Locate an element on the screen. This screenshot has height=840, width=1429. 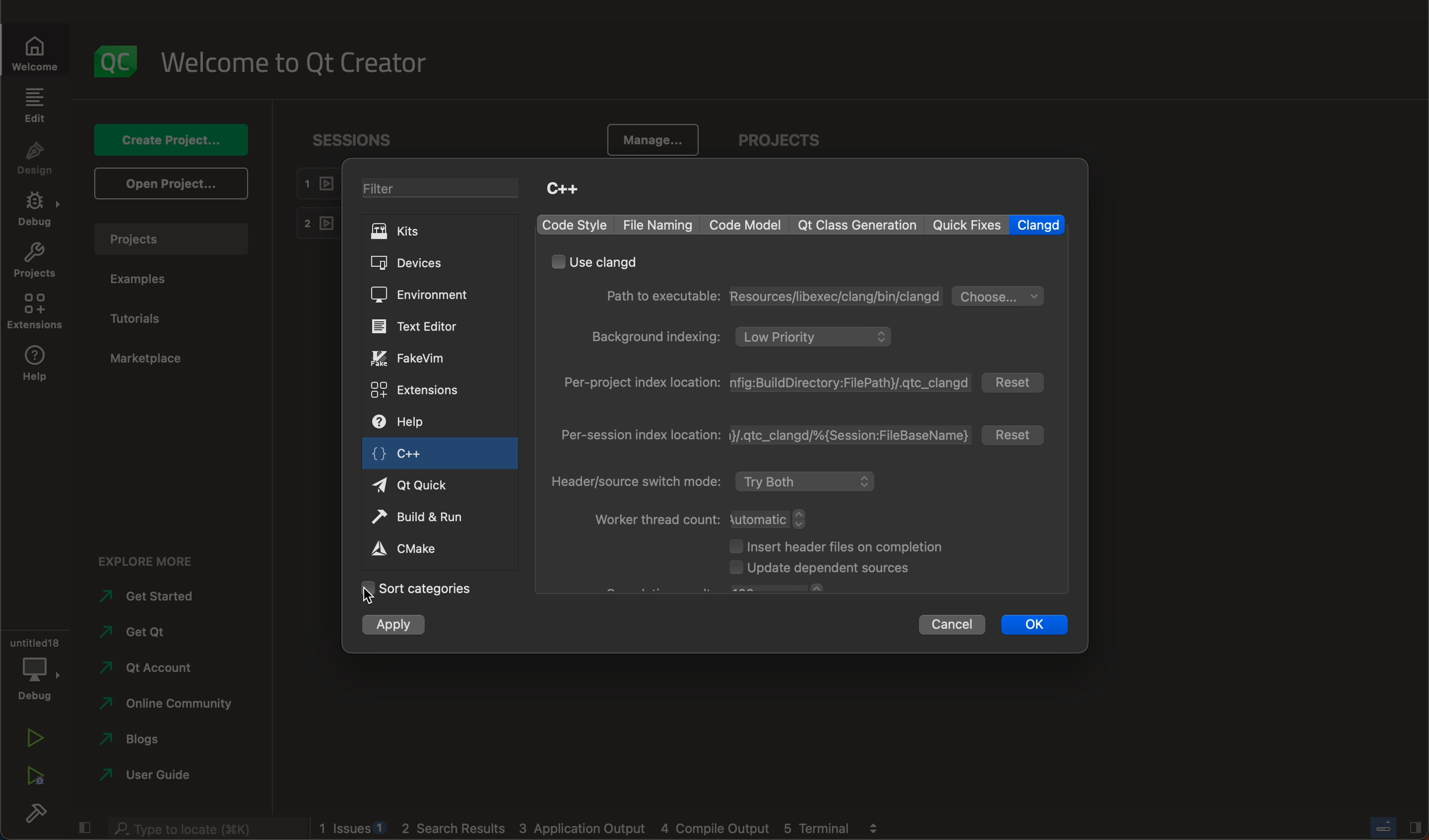
projects is located at coordinates (793, 141).